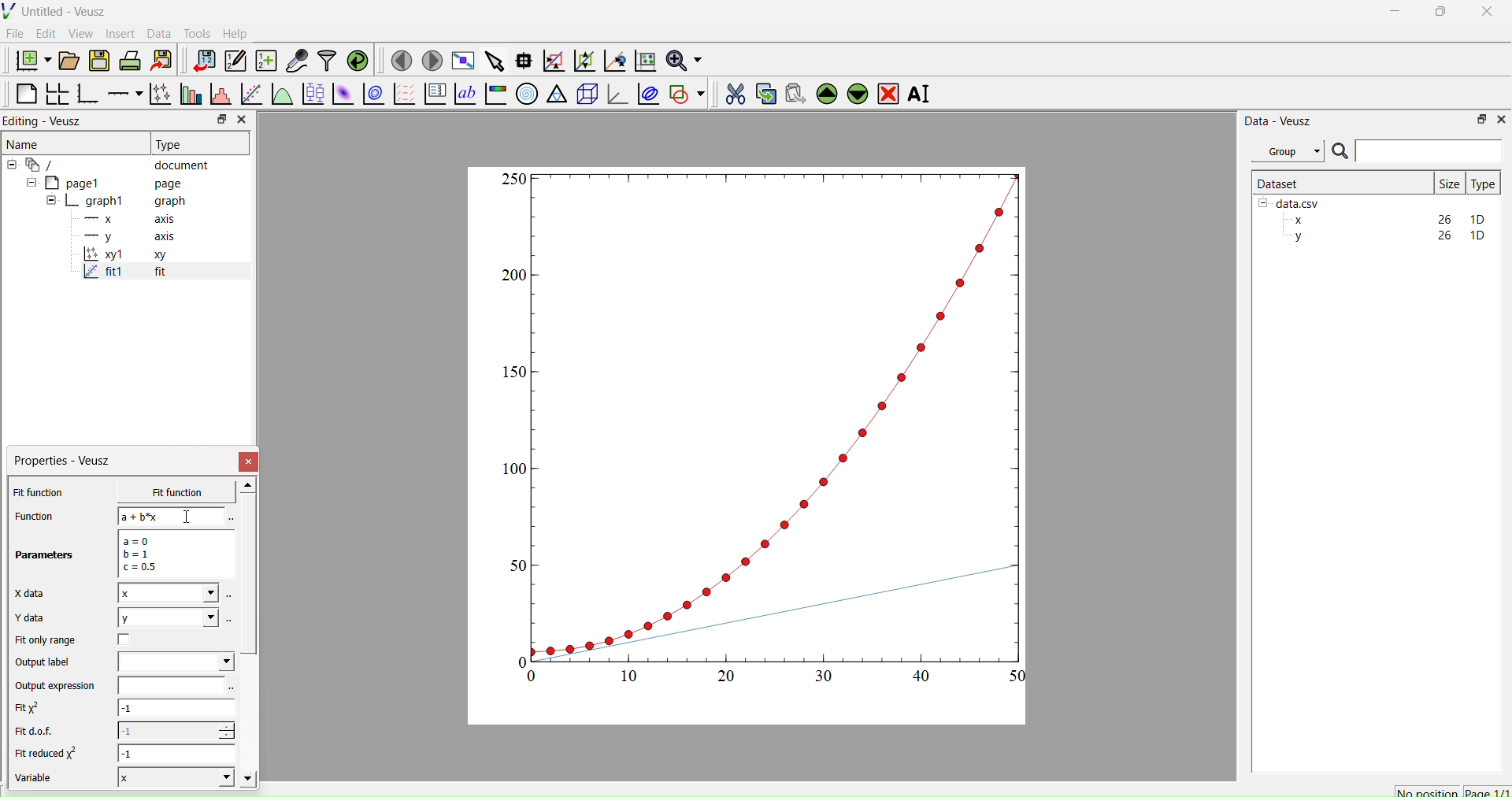  Describe the element at coordinates (1395, 15) in the screenshot. I see `Minimize` at that location.